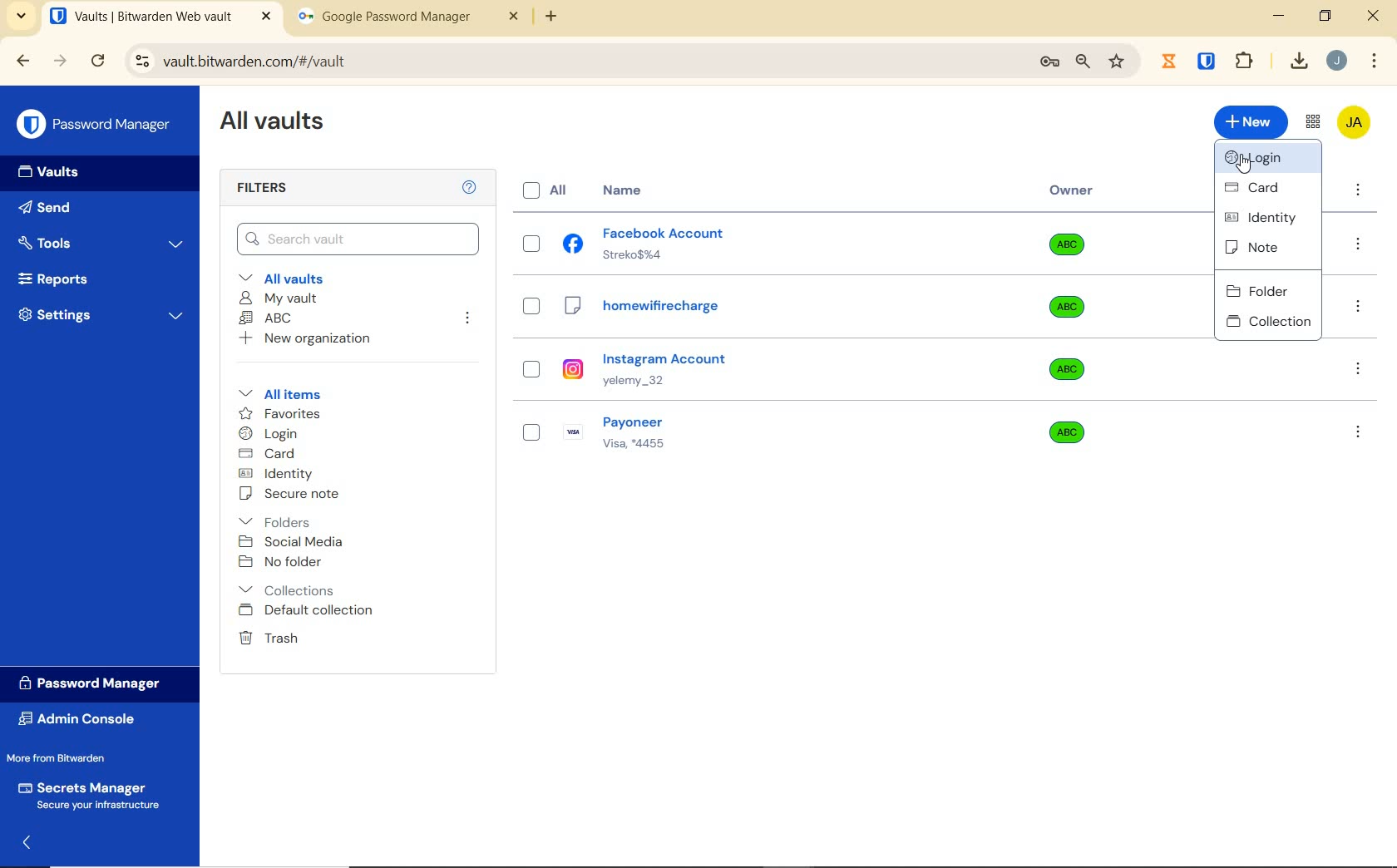 This screenshot has width=1397, height=868. Describe the element at coordinates (288, 277) in the screenshot. I see `All vaults` at that location.